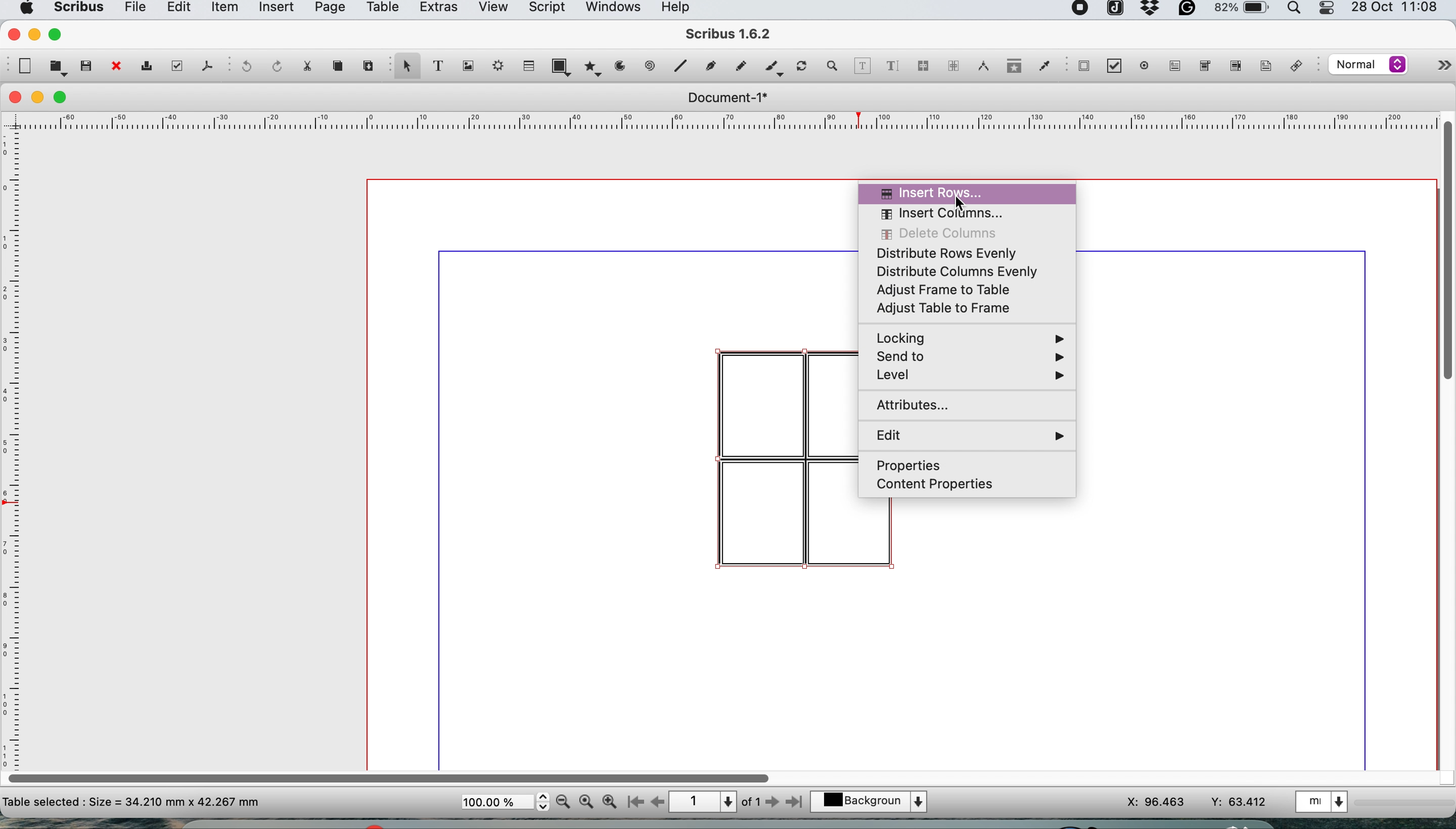 The width and height of the screenshot is (1456, 829). I want to click on xy coordinates, so click(1197, 802).